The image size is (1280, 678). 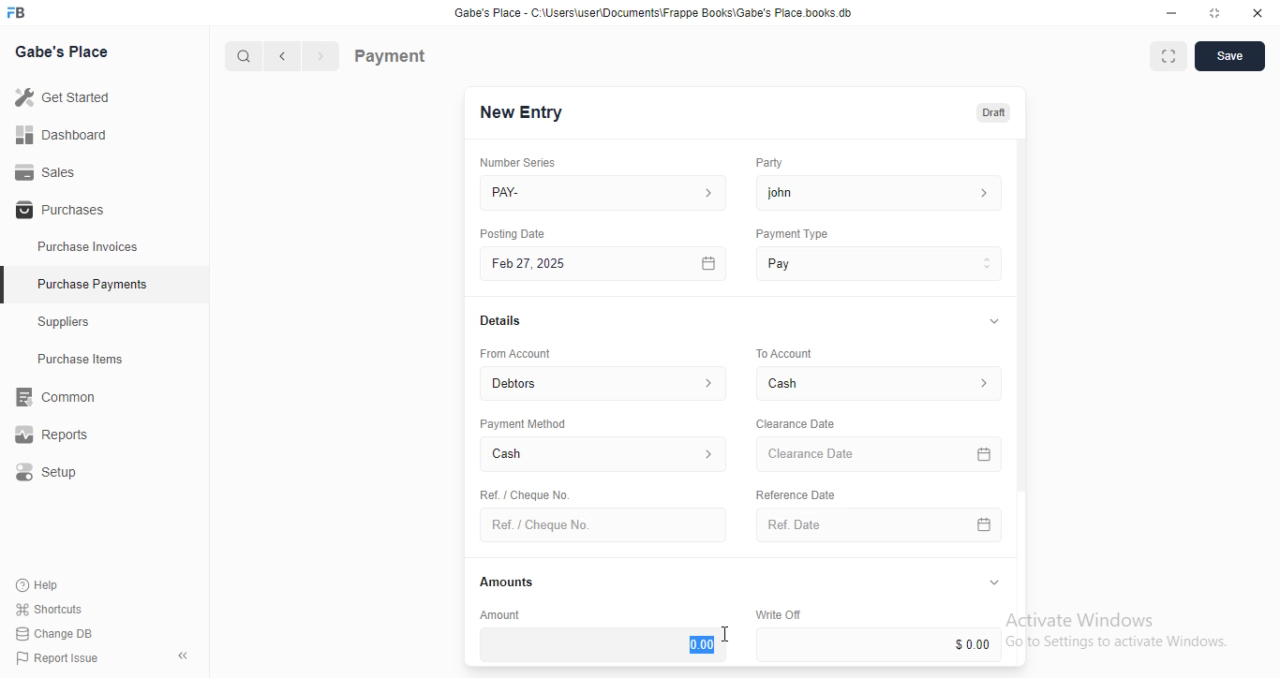 What do you see at coordinates (722, 634) in the screenshot?
I see `cursor` at bounding box center [722, 634].